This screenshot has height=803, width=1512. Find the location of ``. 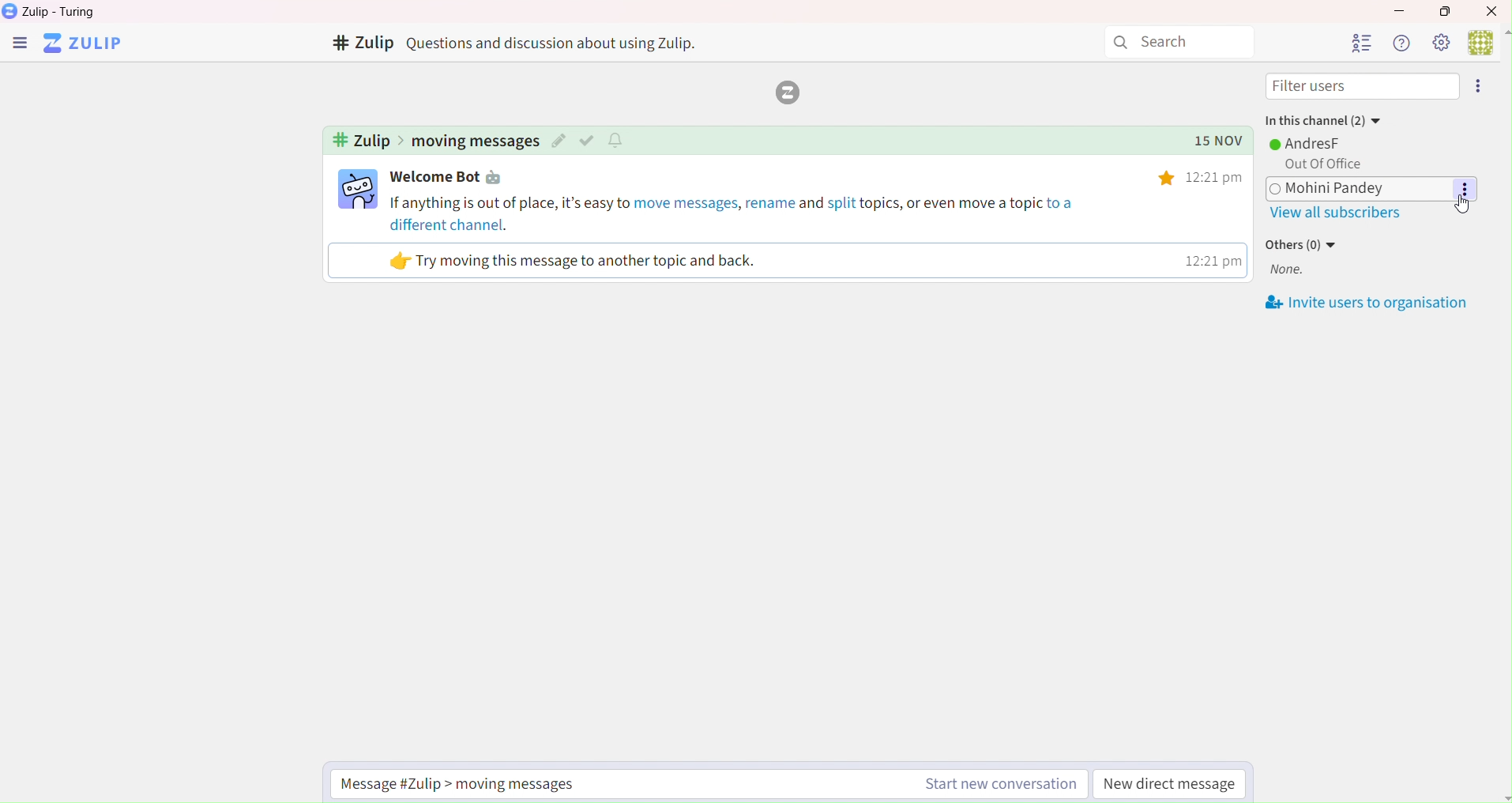

 is located at coordinates (1168, 179).